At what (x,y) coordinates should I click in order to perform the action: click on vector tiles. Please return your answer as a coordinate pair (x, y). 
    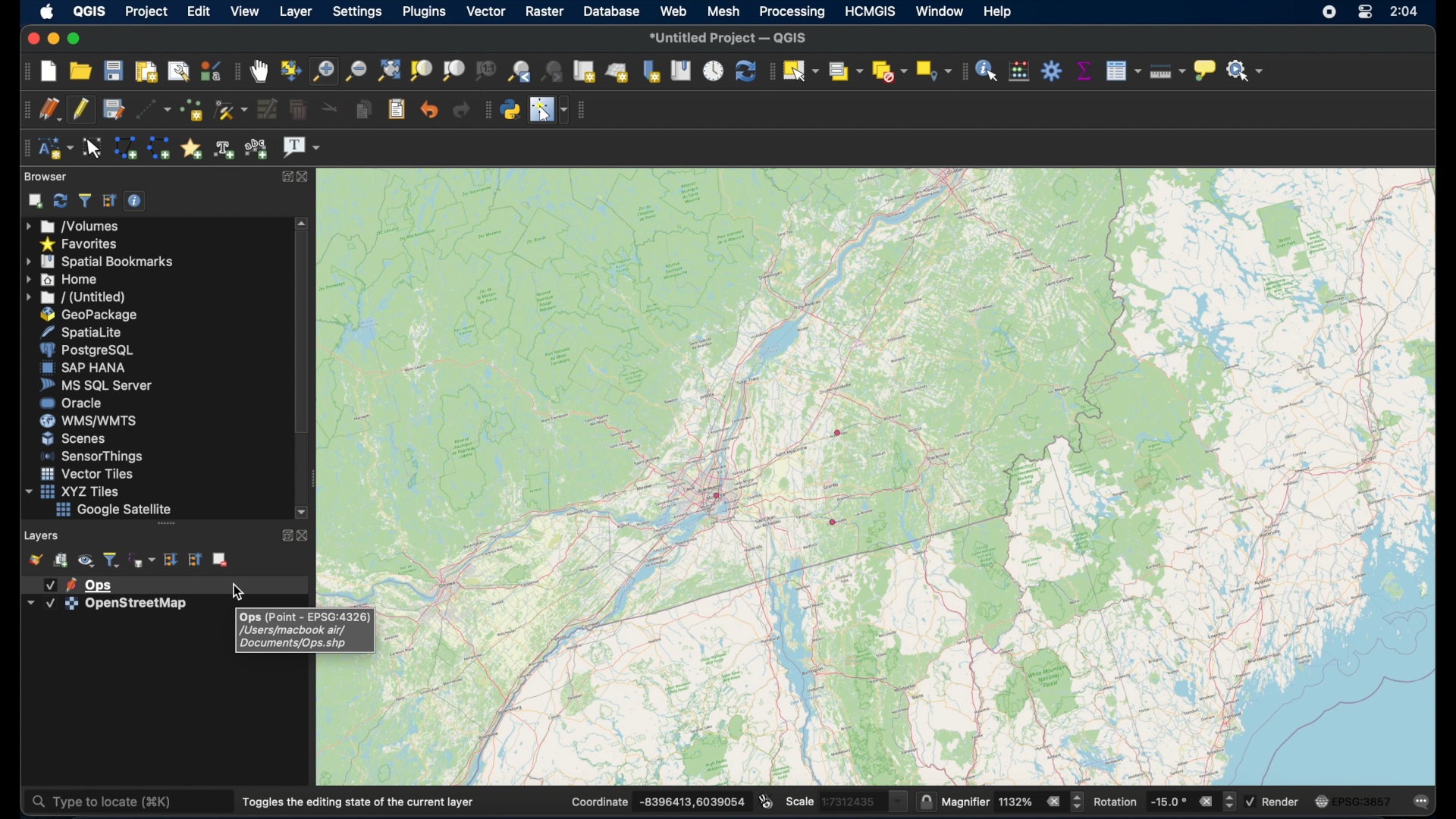
    Looking at the image, I should click on (84, 473).